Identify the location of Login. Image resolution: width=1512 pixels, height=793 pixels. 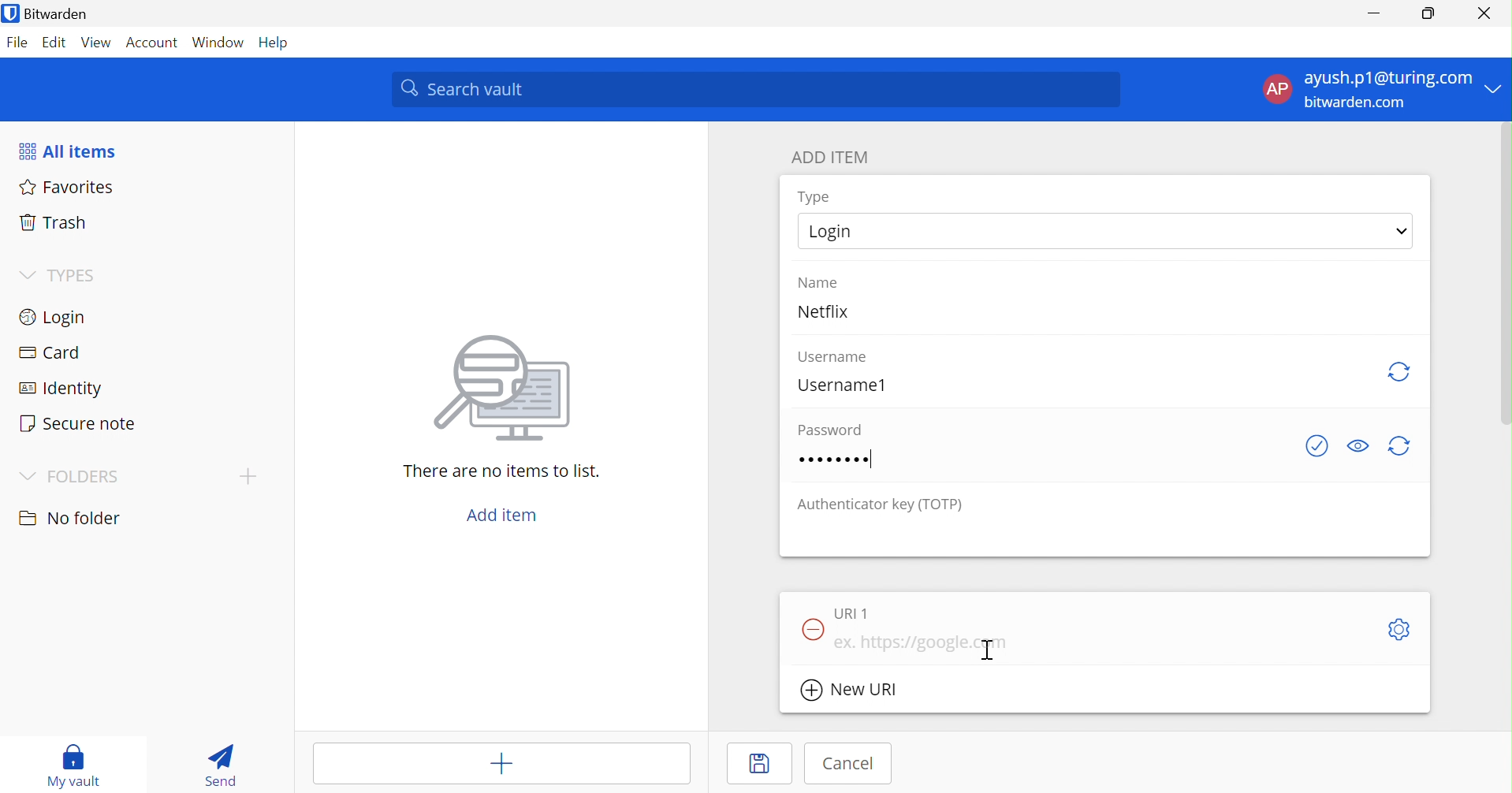
(56, 316).